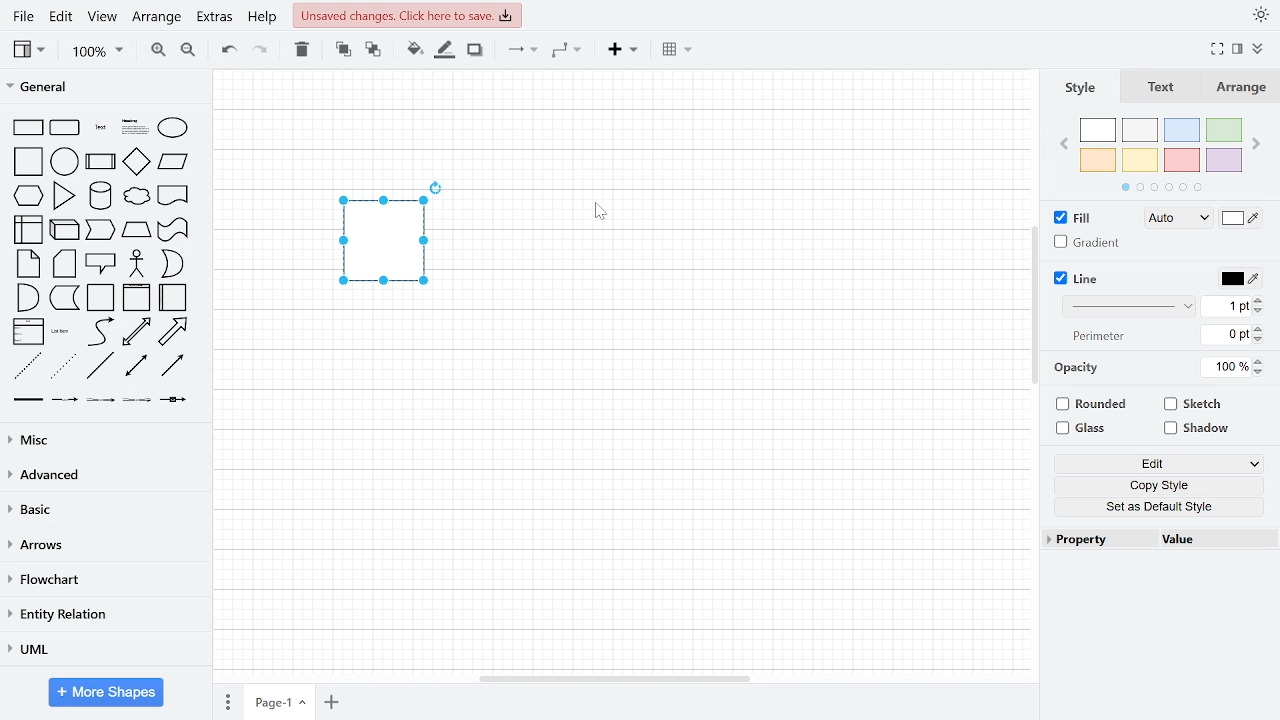  I want to click on general, so click(105, 86).